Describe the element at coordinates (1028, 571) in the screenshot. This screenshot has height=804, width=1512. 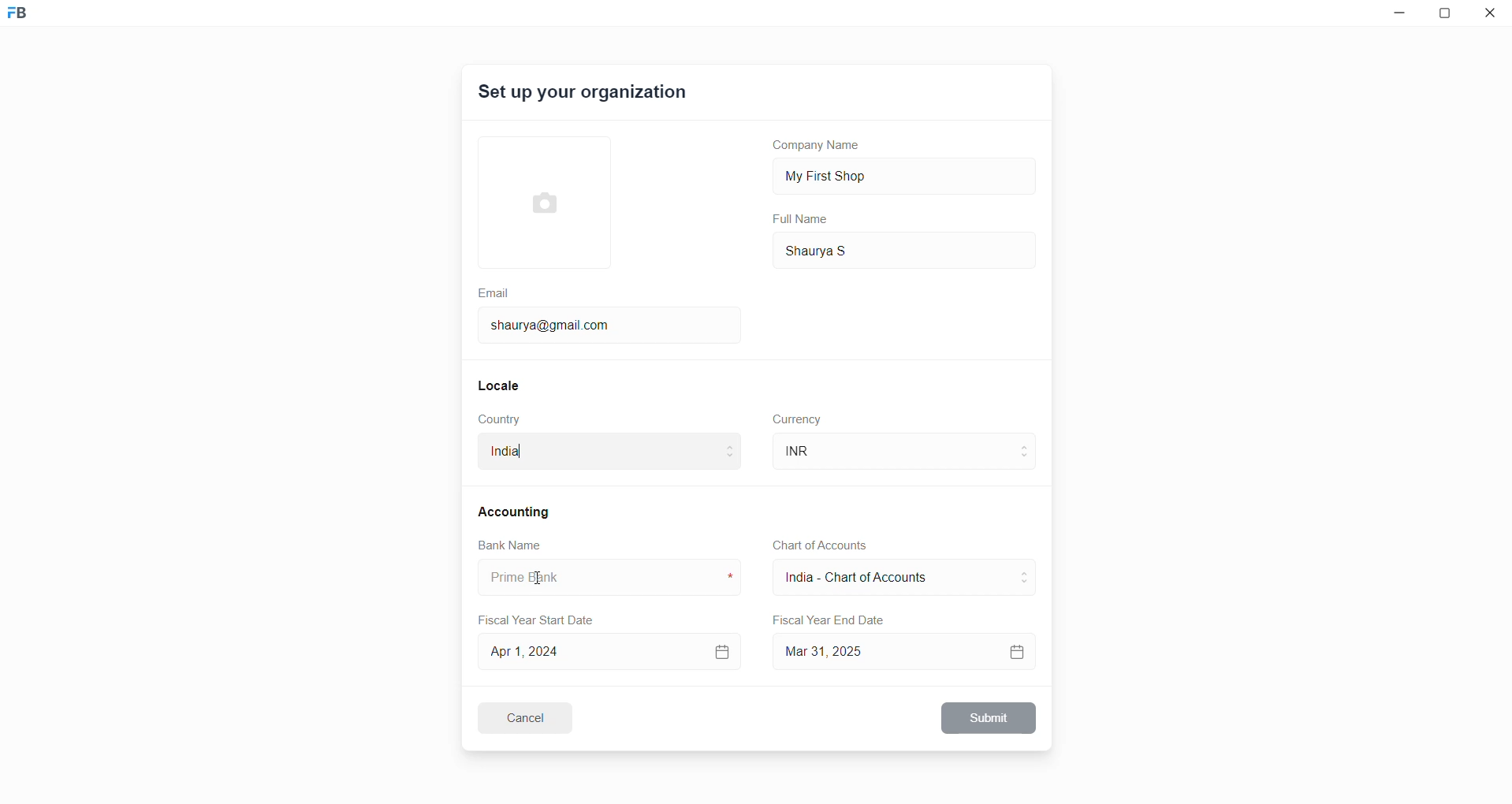
I see `move to above CoA` at that location.